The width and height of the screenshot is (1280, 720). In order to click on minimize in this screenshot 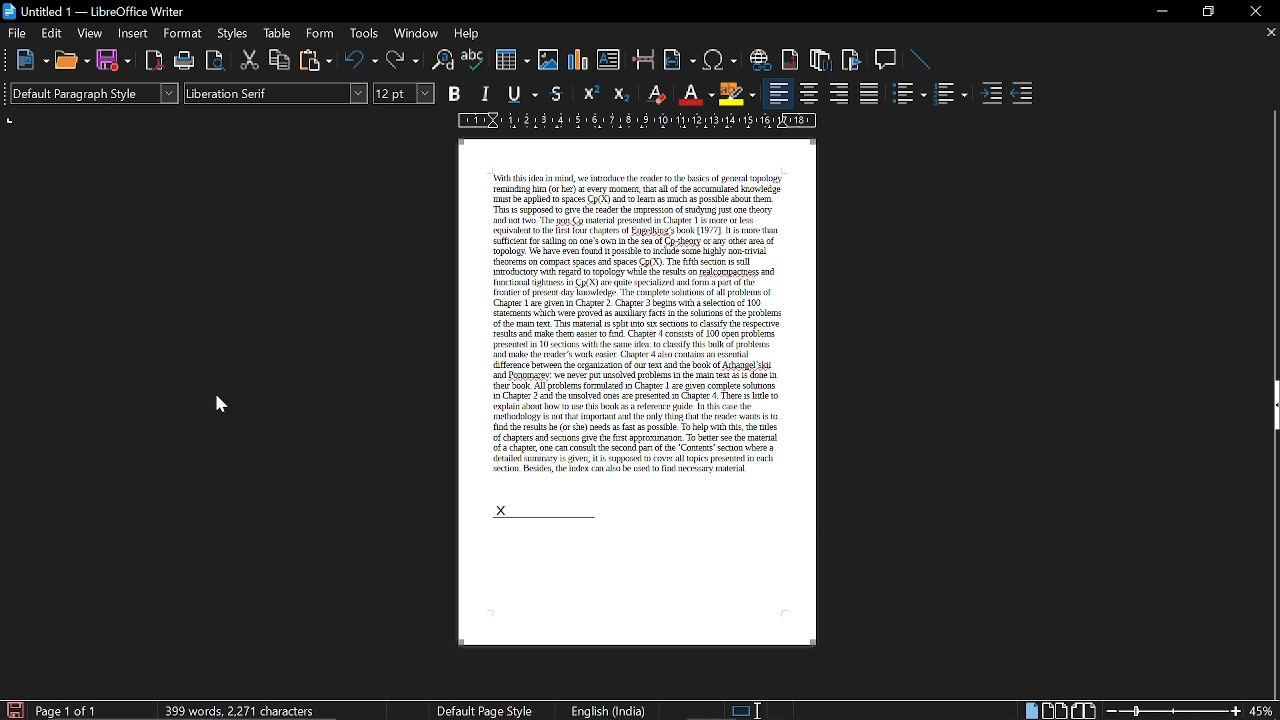, I will do `click(1158, 10)`.